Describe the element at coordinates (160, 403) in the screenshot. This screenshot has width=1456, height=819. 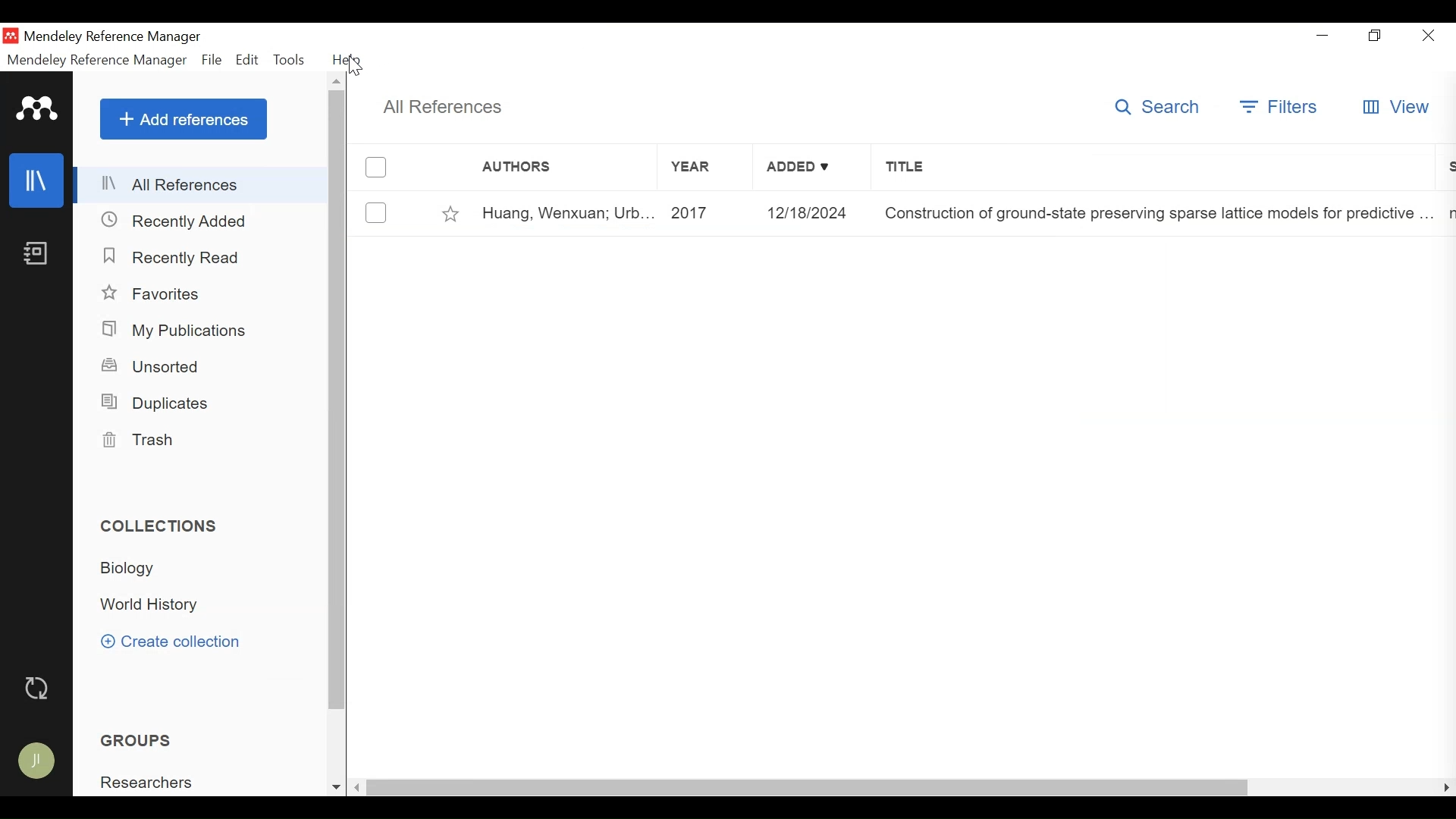
I see `Duplicates` at that location.